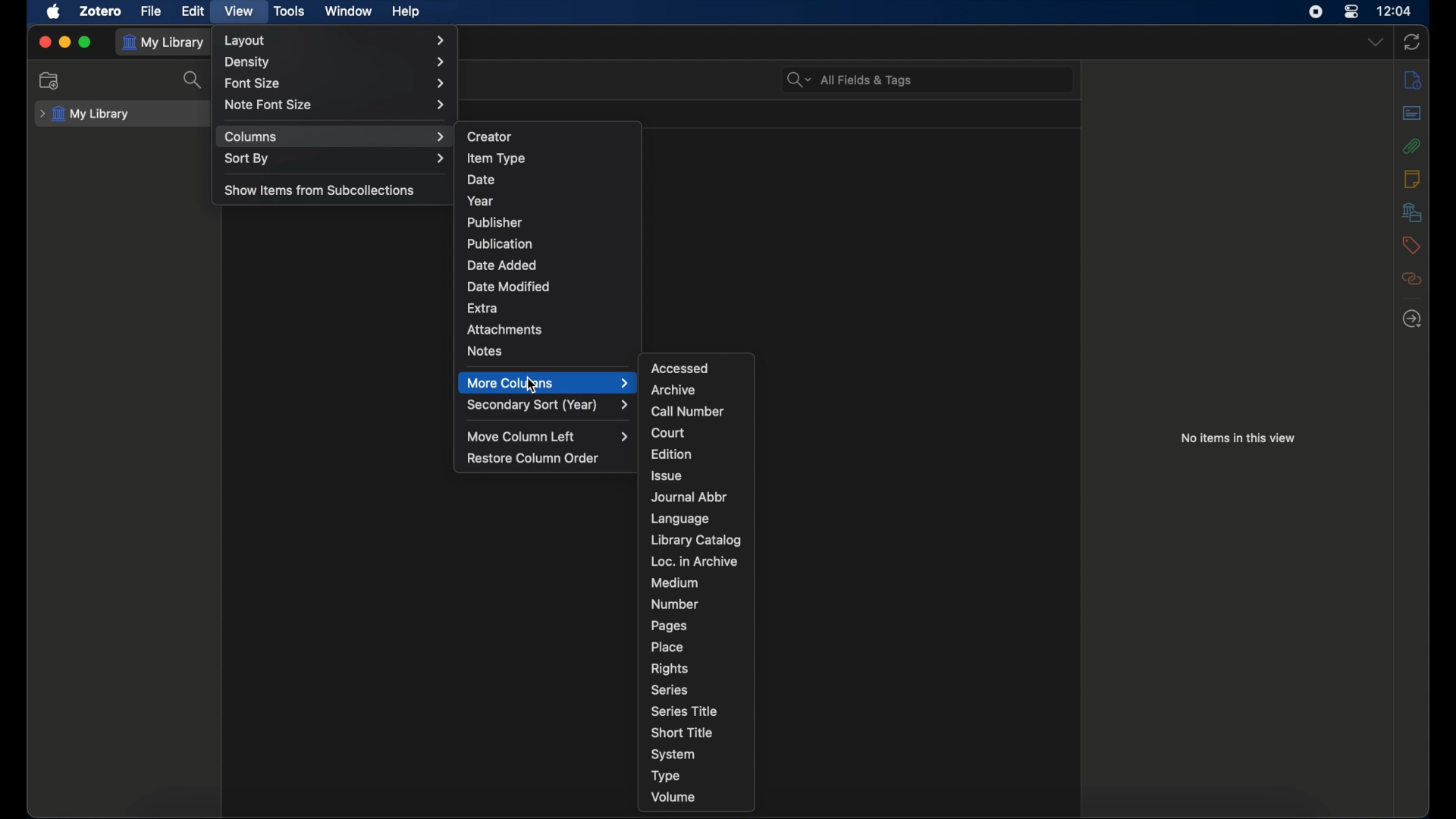 The image size is (1456, 819). What do you see at coordinates (164, 42) in the screenshot?
I see `my library` at bounding box center [164, 42].